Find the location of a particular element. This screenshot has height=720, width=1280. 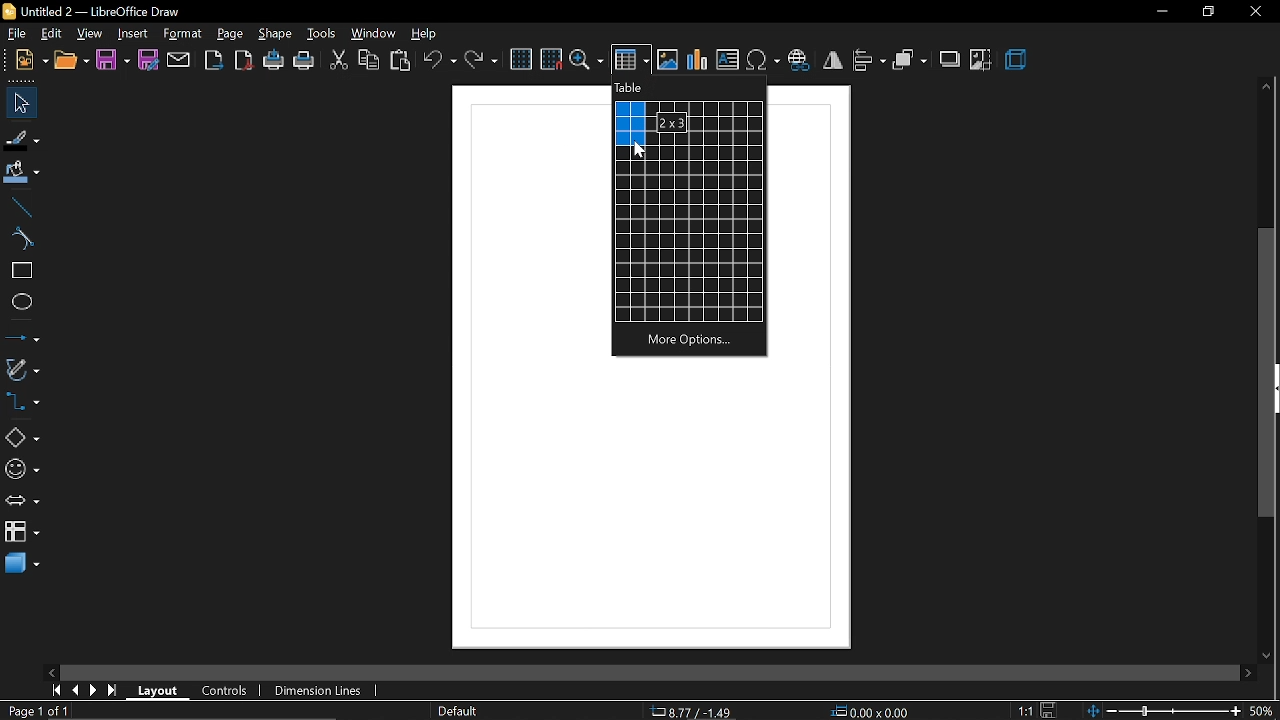

arrange is located at coordinates (910, 61).